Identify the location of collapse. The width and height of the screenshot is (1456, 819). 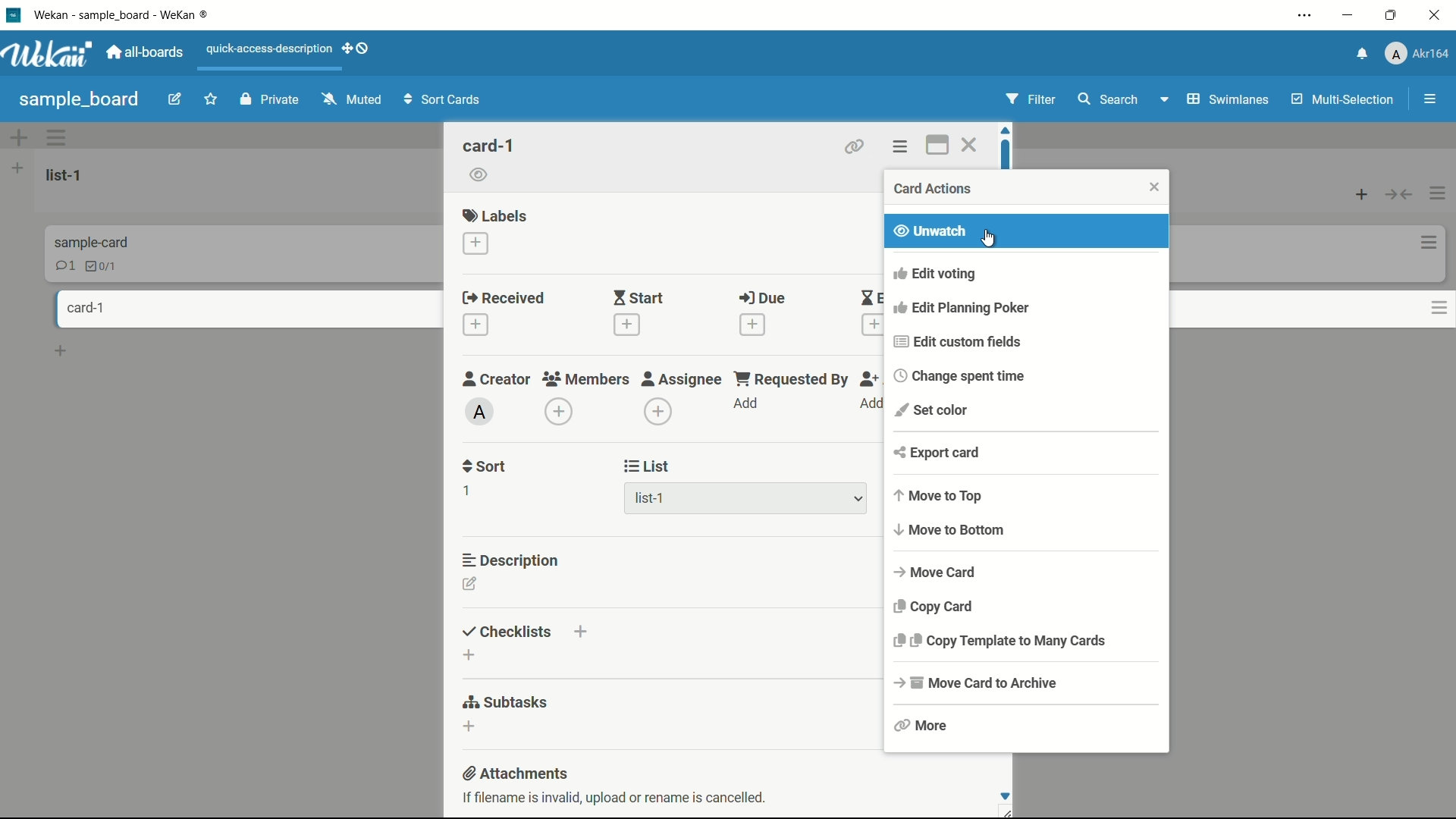
(1398, 190).